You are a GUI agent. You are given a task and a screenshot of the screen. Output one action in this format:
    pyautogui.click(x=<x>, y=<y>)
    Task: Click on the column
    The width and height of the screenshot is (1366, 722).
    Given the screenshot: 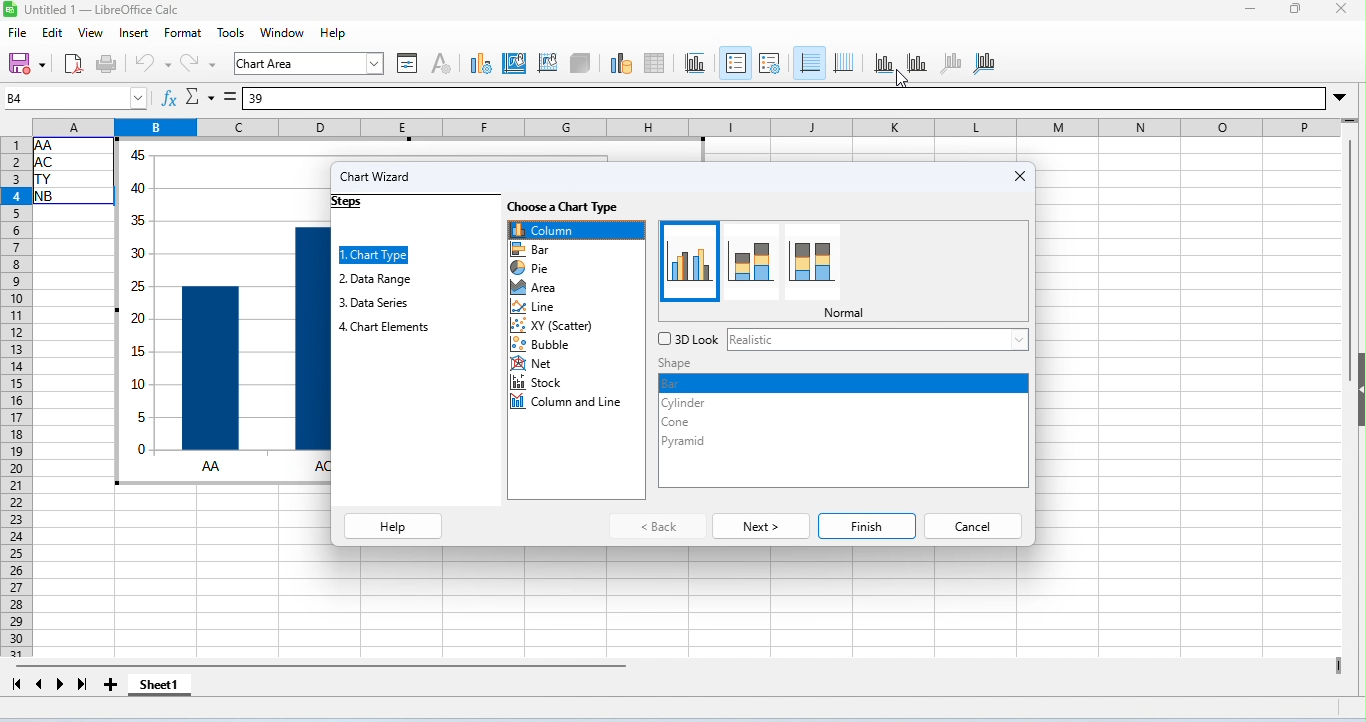 What is the action you would take?
    pyautogui.click(x=575, y=229)
    